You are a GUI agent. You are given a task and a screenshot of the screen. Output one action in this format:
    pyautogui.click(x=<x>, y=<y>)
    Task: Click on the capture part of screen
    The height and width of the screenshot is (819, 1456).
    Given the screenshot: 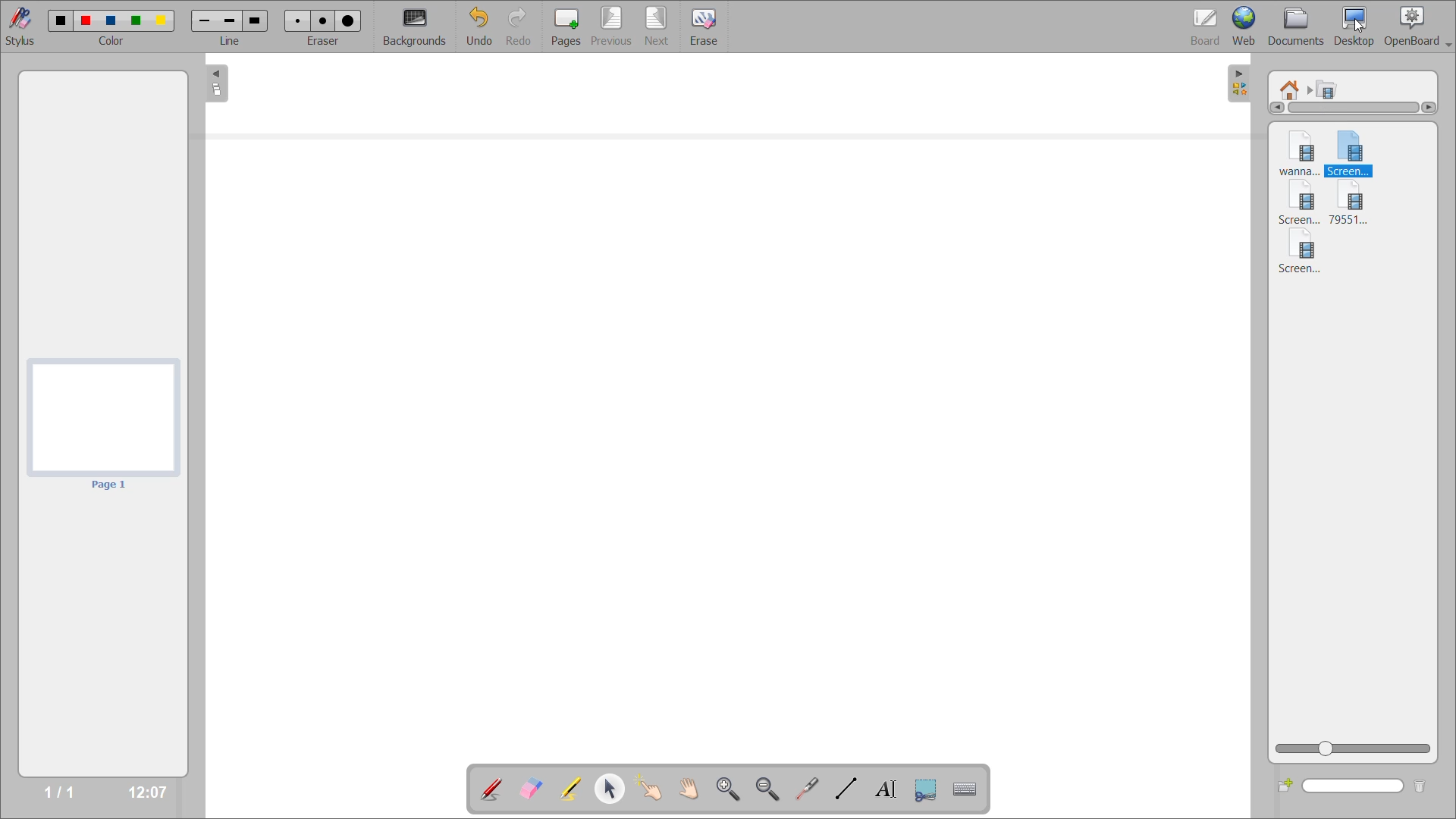 What is the action you would take?
    pyautogui.click(x=926, y=787)
    